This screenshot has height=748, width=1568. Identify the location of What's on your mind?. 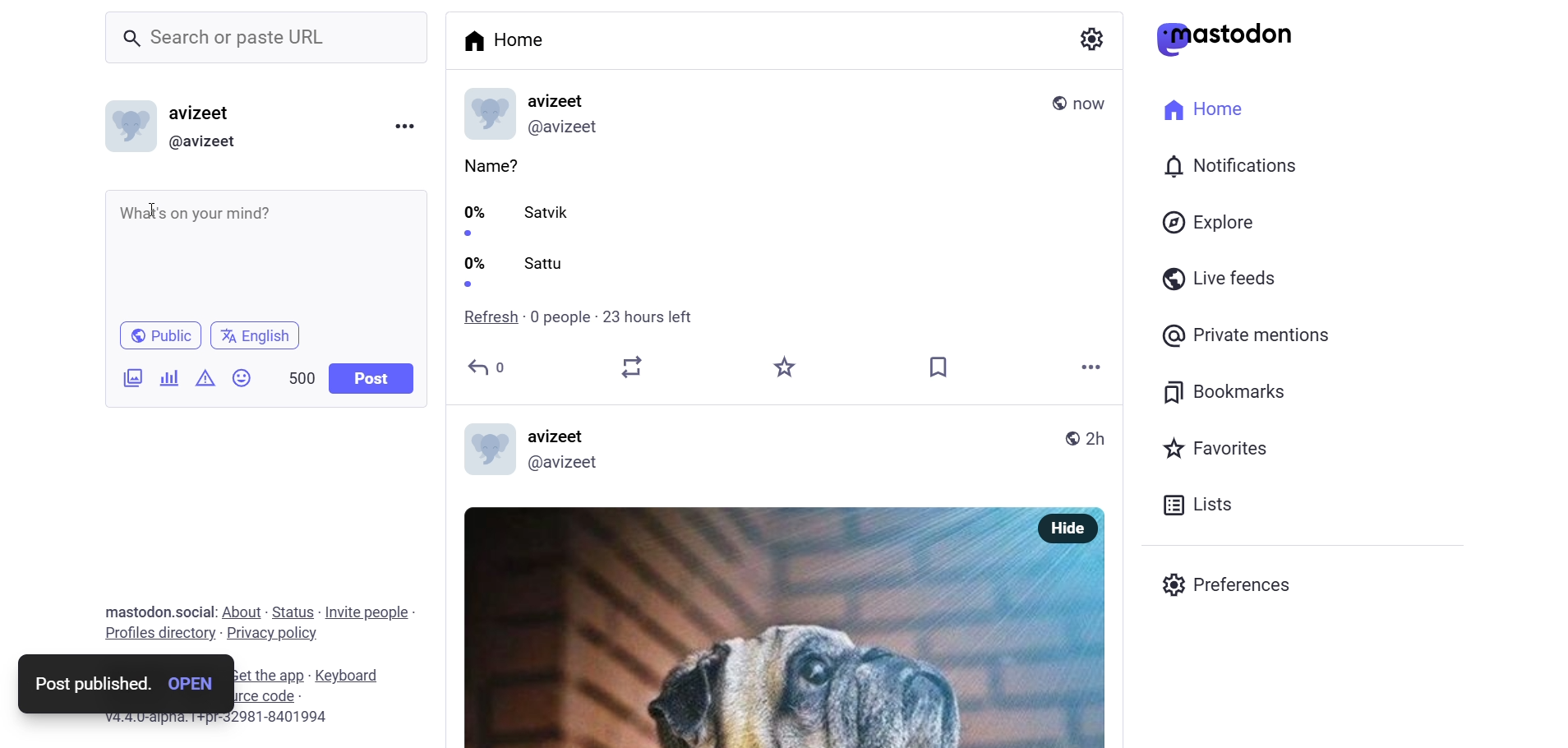
(263, 254).